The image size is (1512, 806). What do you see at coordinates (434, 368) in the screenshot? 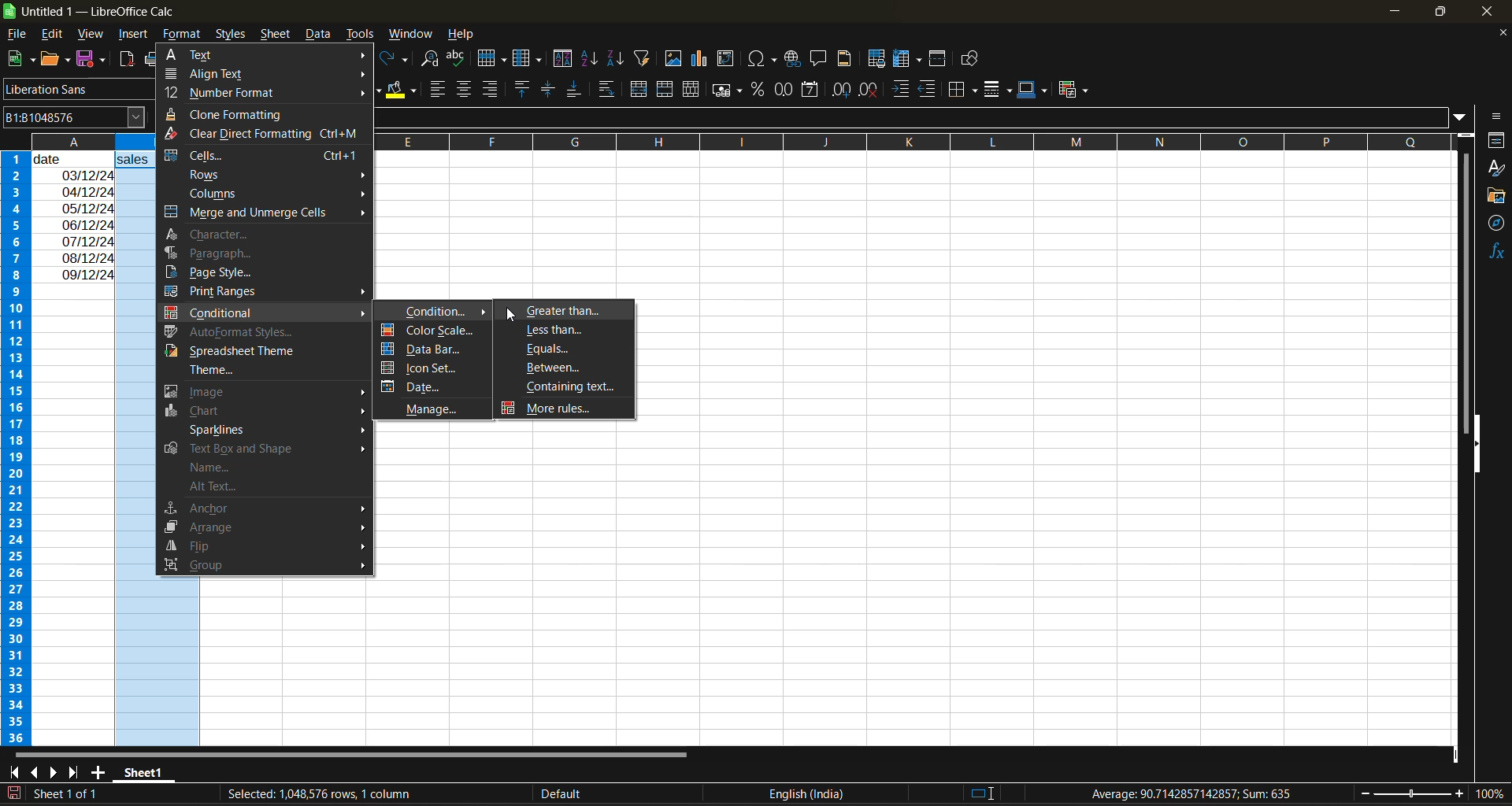
I see `icon set` at bounding box center [434, 368].